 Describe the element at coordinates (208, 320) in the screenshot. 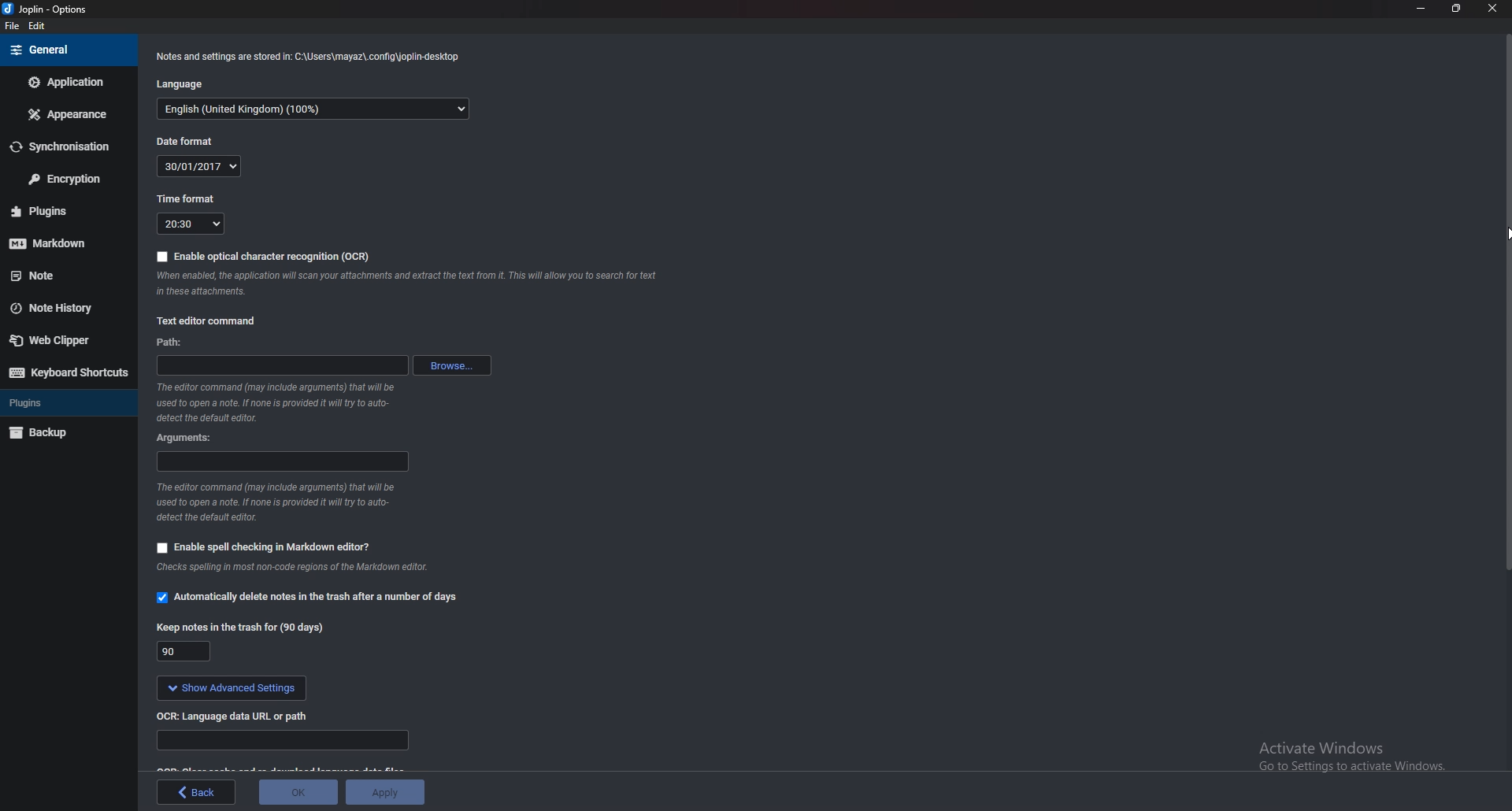

I see `Text editor command` at that location.